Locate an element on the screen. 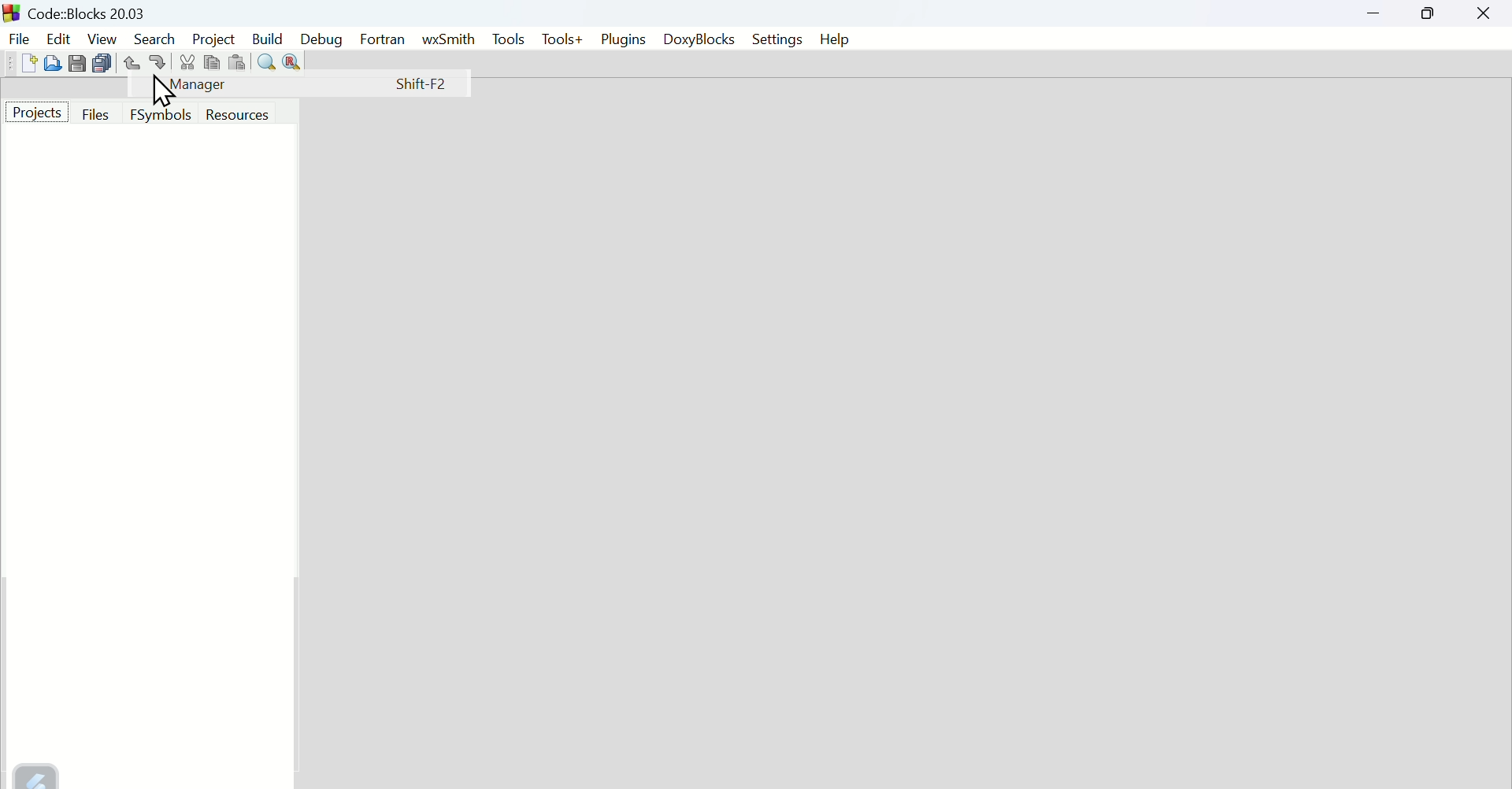  edit is located at coordinates (57, 38).